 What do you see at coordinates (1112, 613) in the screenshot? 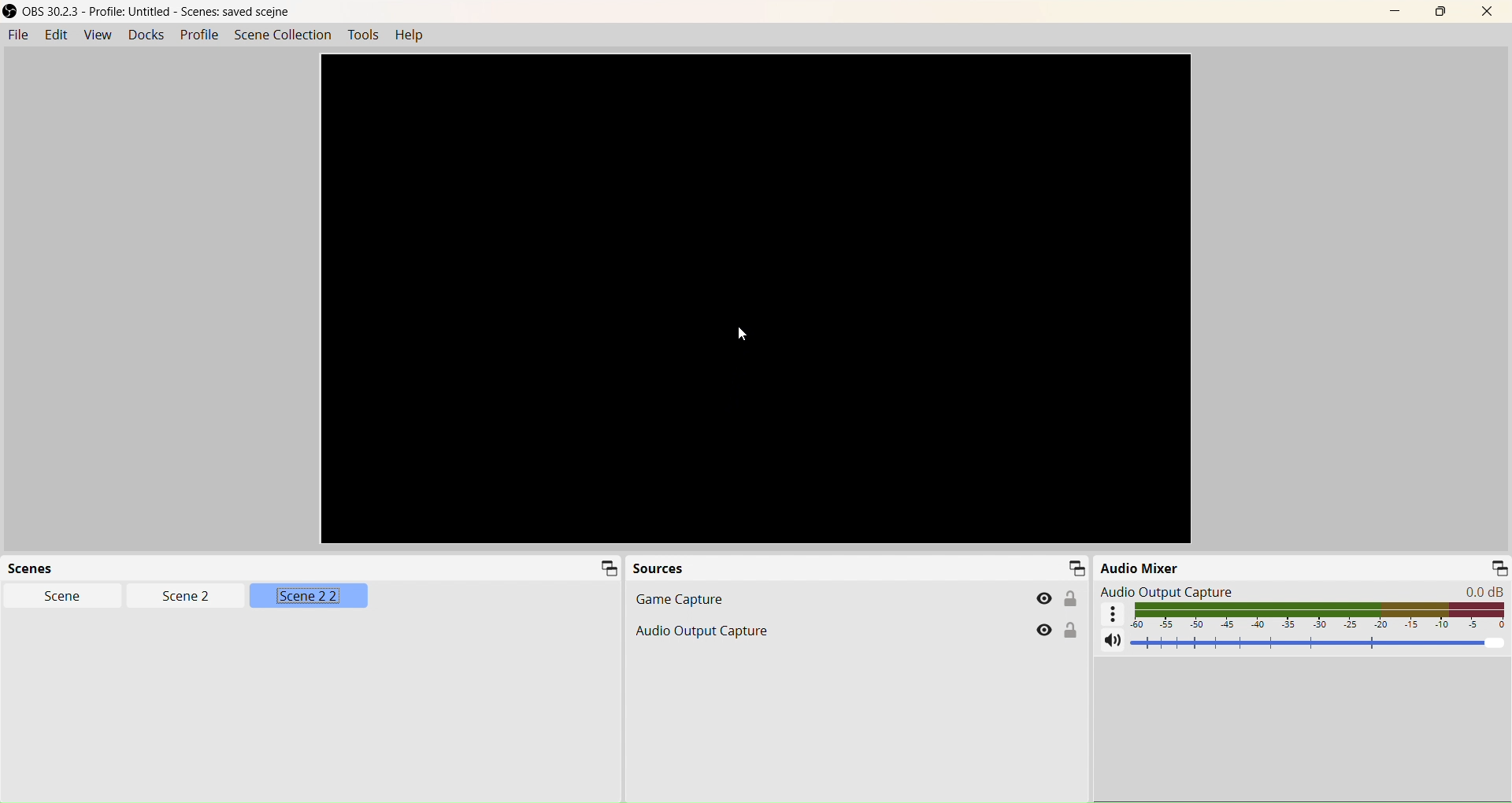
I see `More` at bounding box center [1112, 613].